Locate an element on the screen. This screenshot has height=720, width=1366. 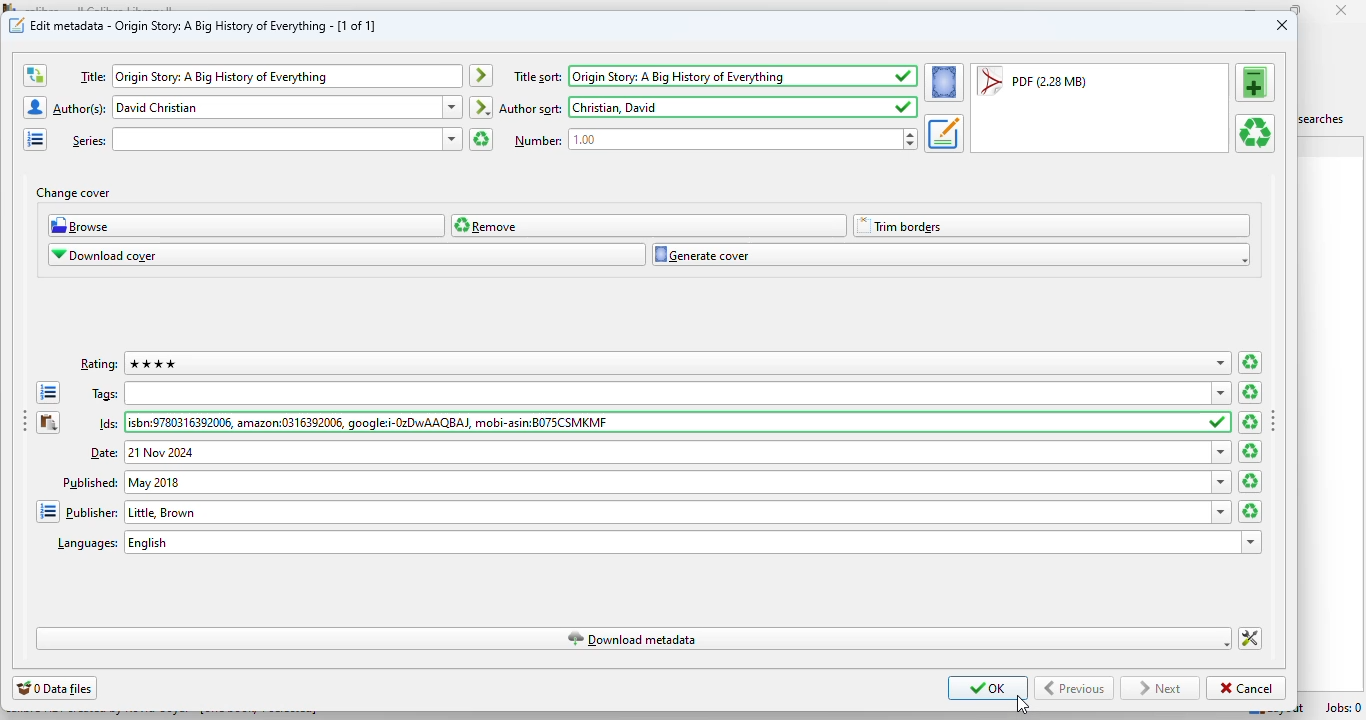
series:  is located at coordinates (276, 139).